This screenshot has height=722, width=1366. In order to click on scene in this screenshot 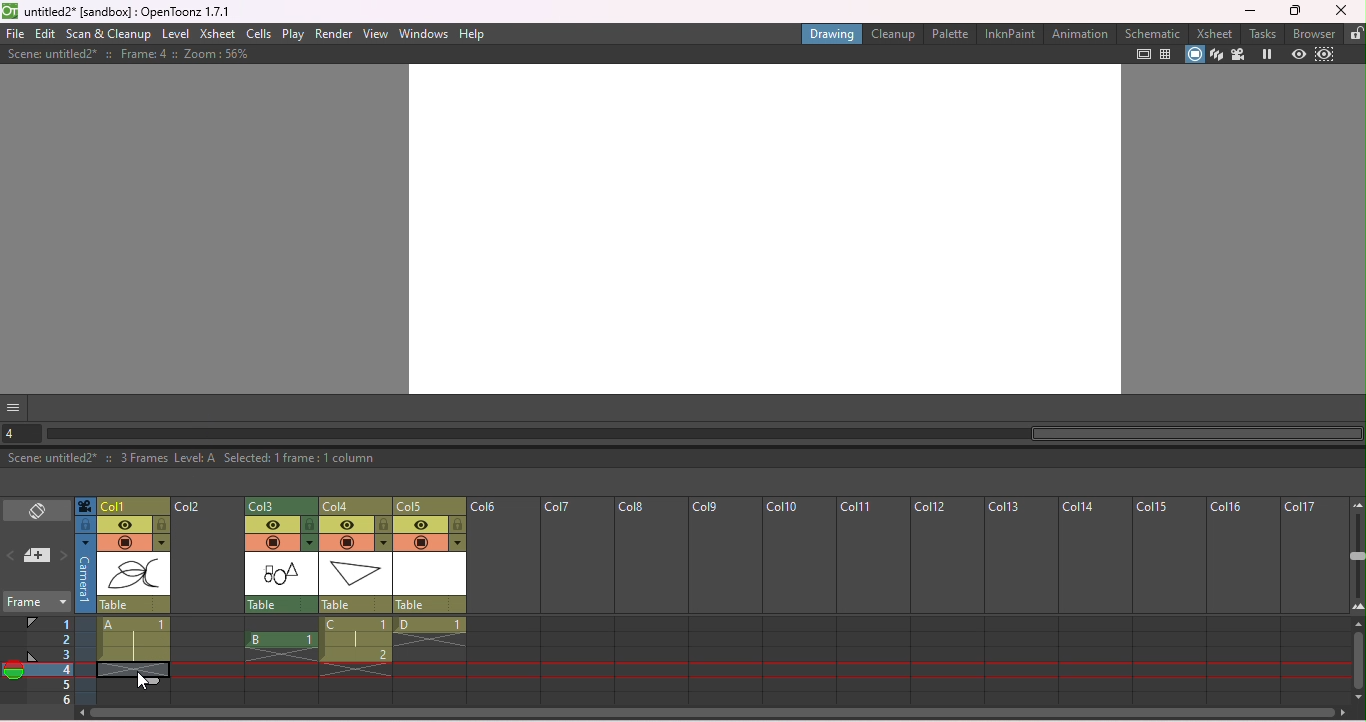, I will do `click(134, 575)`.